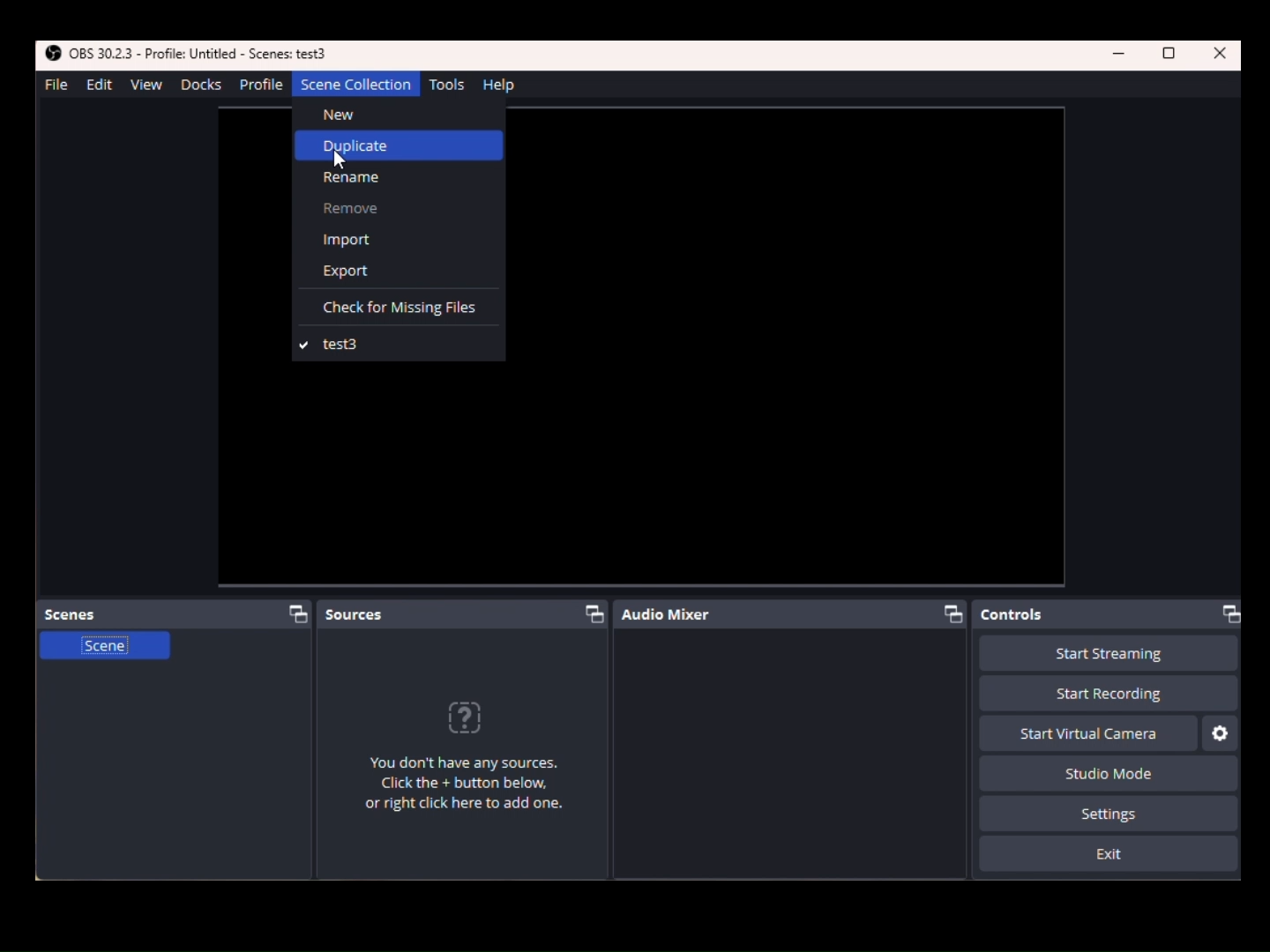 This screenshot has width=1270, height=952. I want to click on IMport, so click(399, 238).